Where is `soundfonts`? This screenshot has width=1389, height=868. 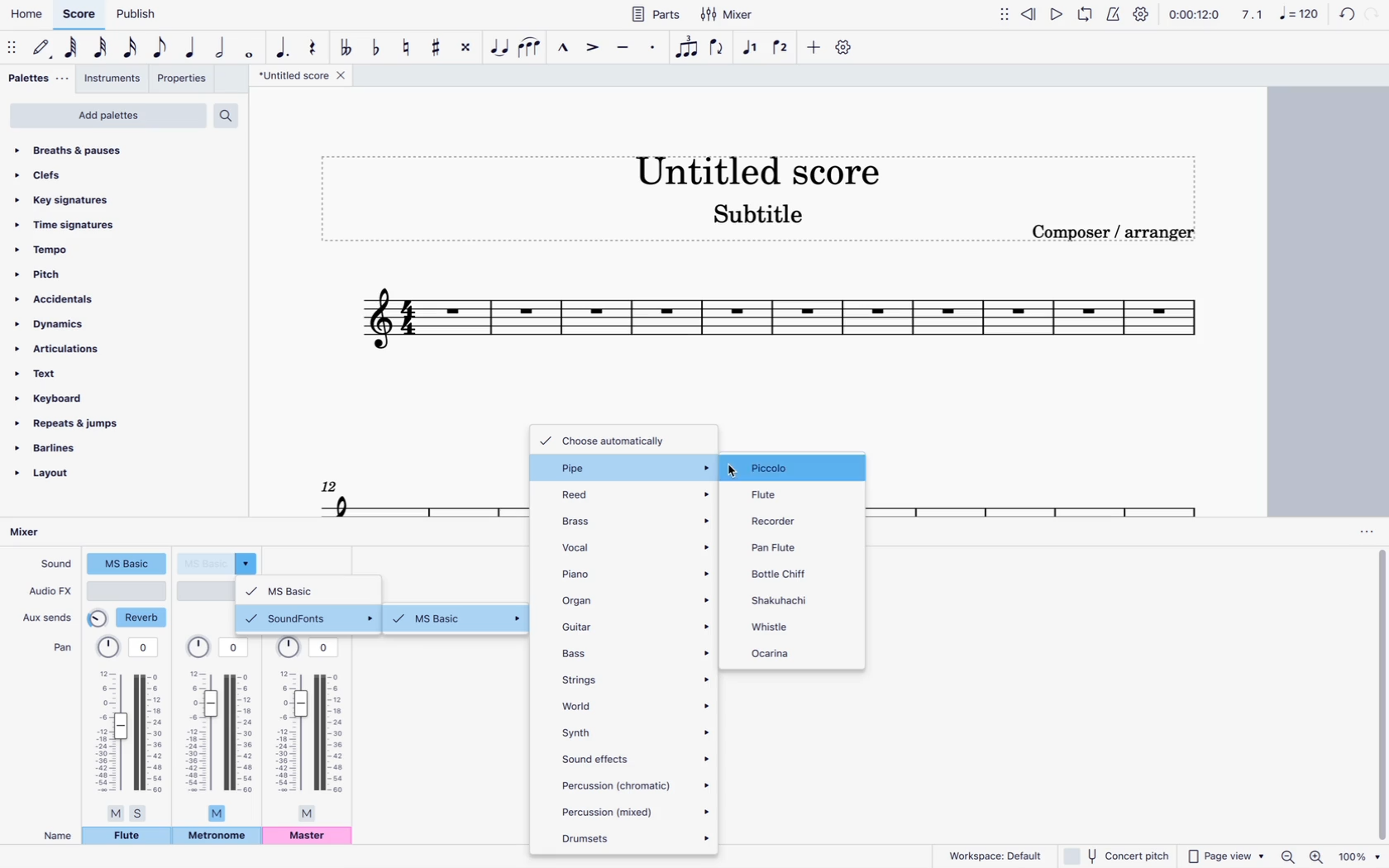 soundfonts is located at coordinates (311, 618).